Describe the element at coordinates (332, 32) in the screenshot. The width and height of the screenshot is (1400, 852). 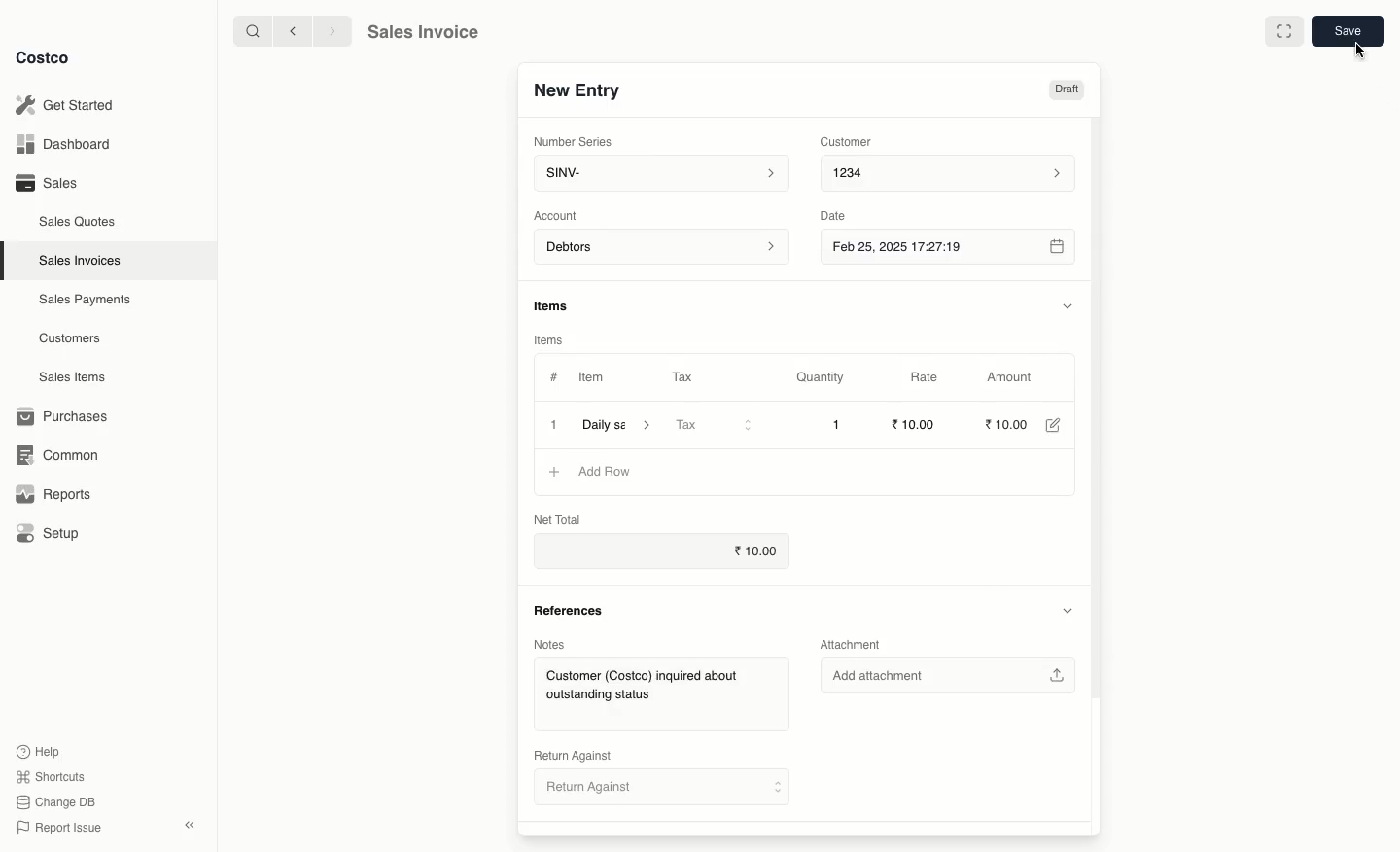
I see `Forward` at that location.